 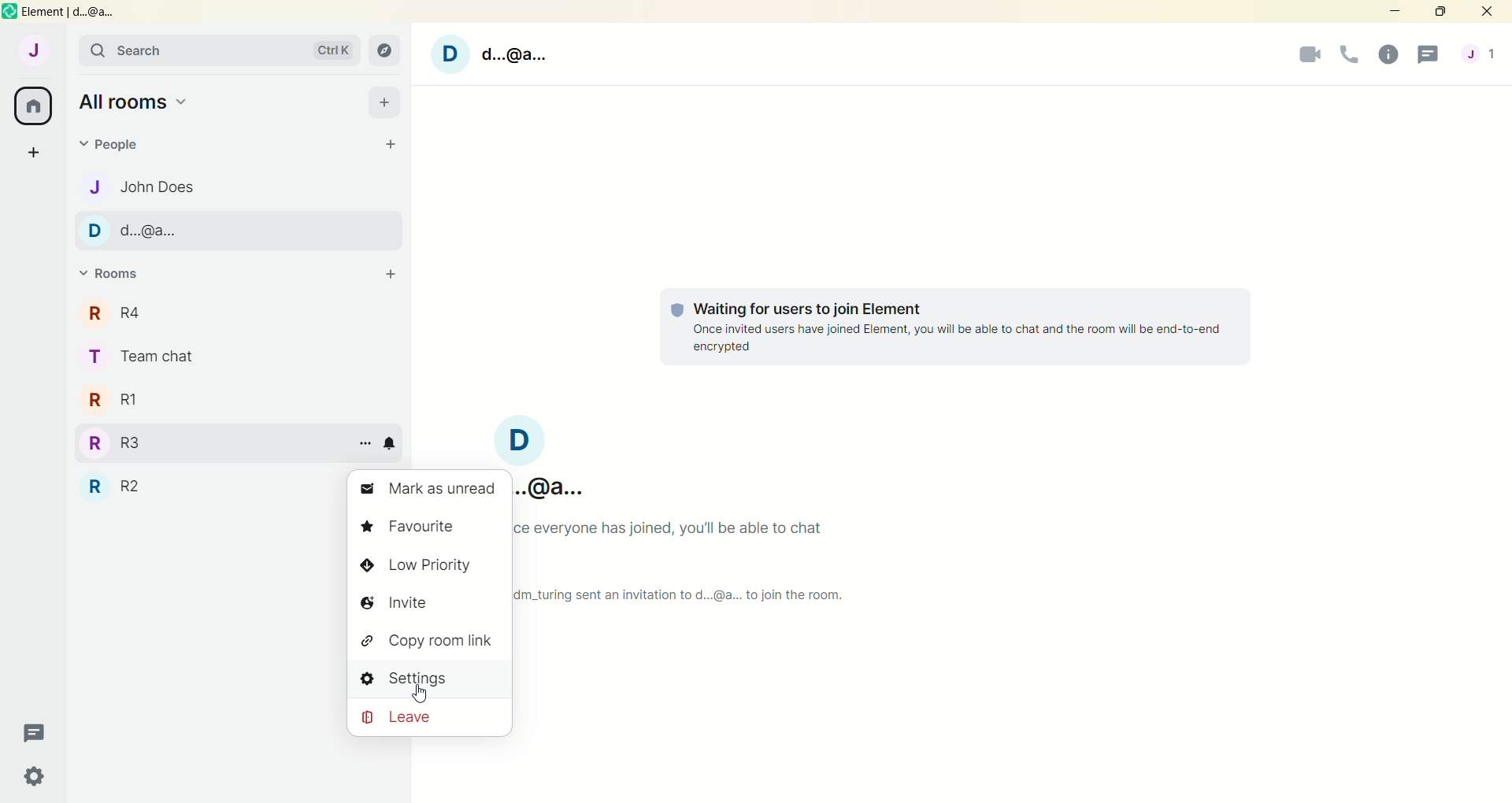 What do you see at coordinates (384, 104) in the screenshot?
I see `add` at bounding box center [384, 104].